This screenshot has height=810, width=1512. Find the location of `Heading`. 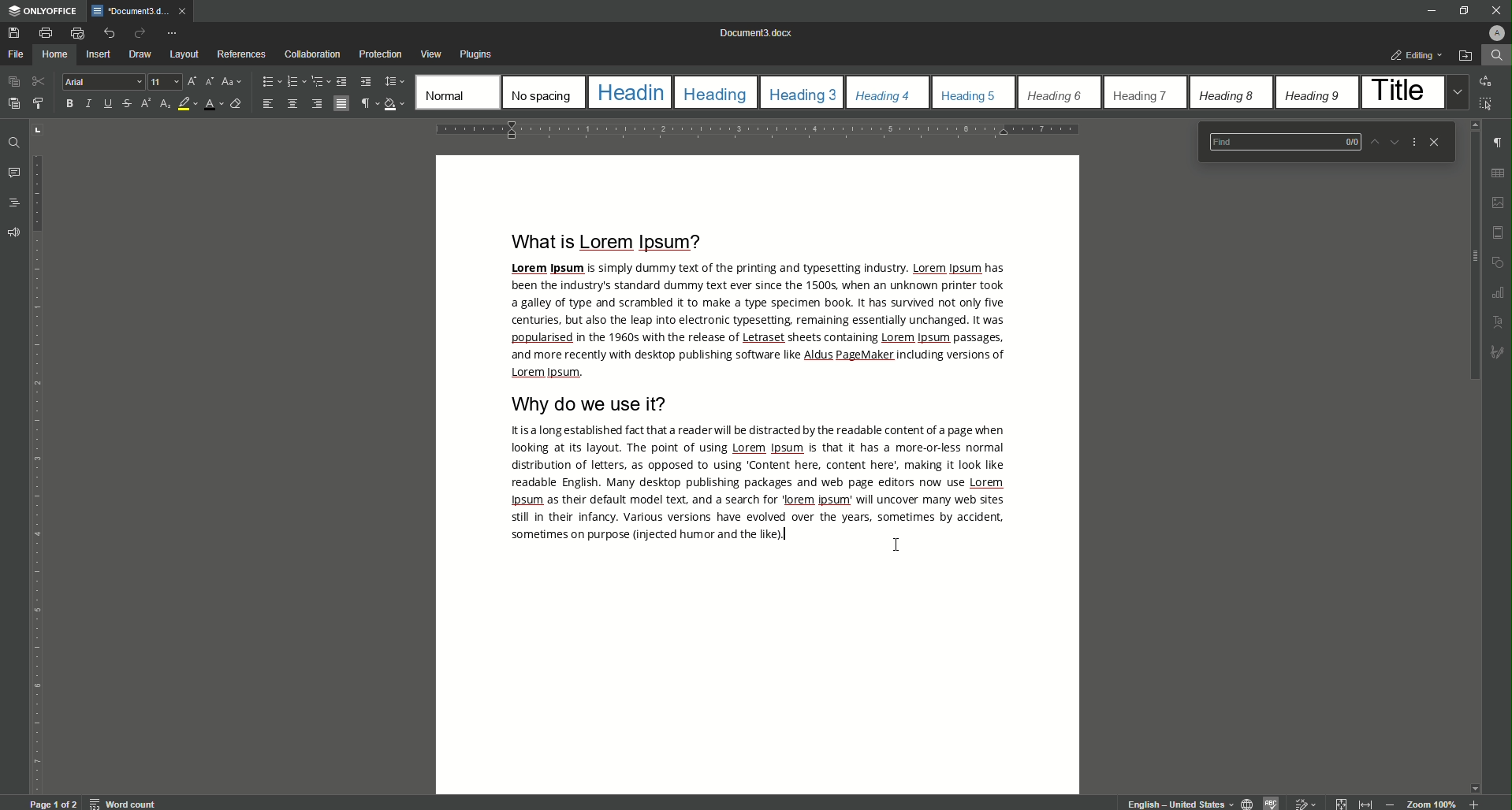

Heading is located at coordinates (714, 93).